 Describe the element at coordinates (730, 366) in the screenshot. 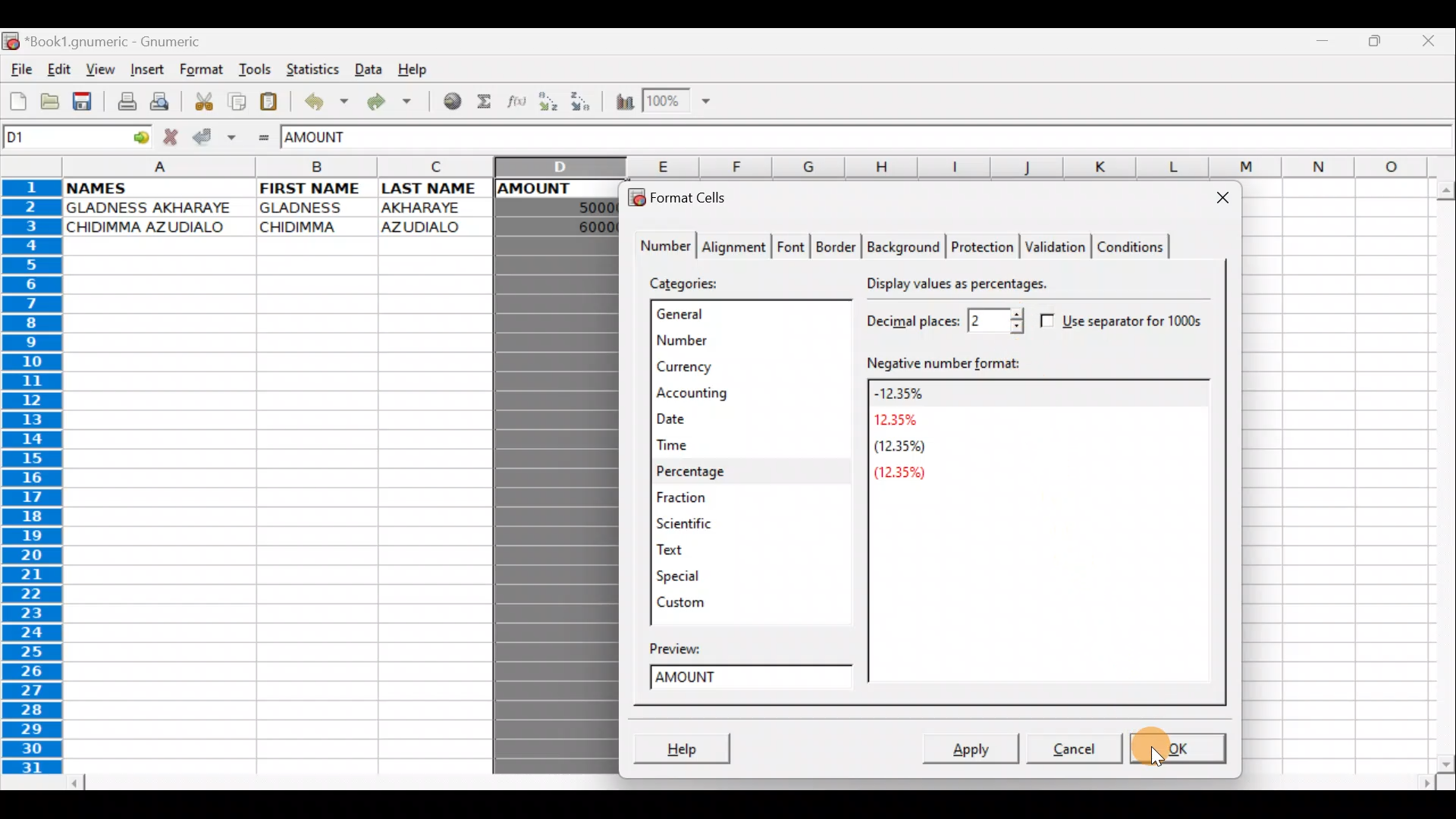

I see `Currency` at that location.